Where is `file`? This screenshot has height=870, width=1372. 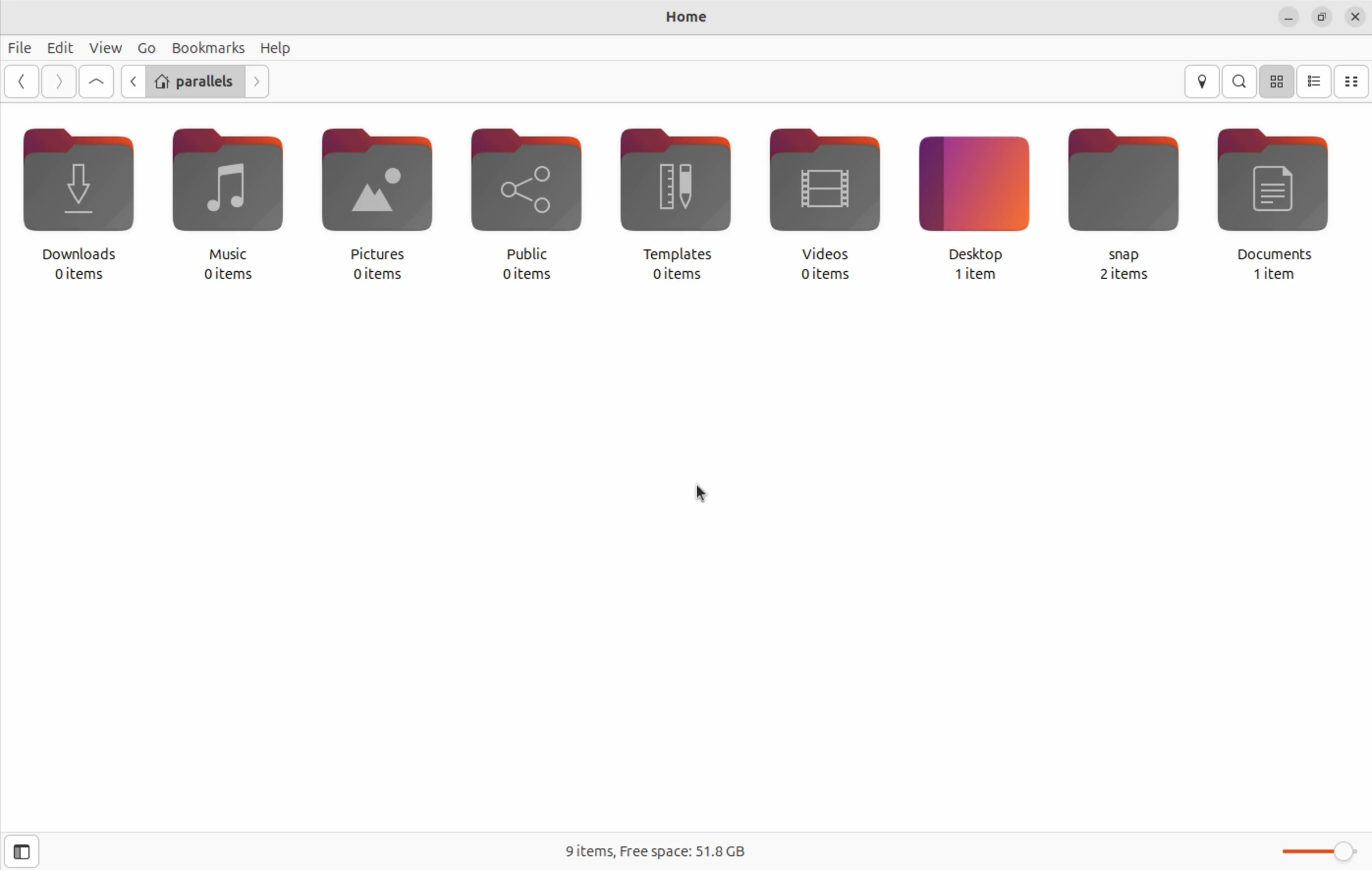 file is located at coordinates (22, 49).